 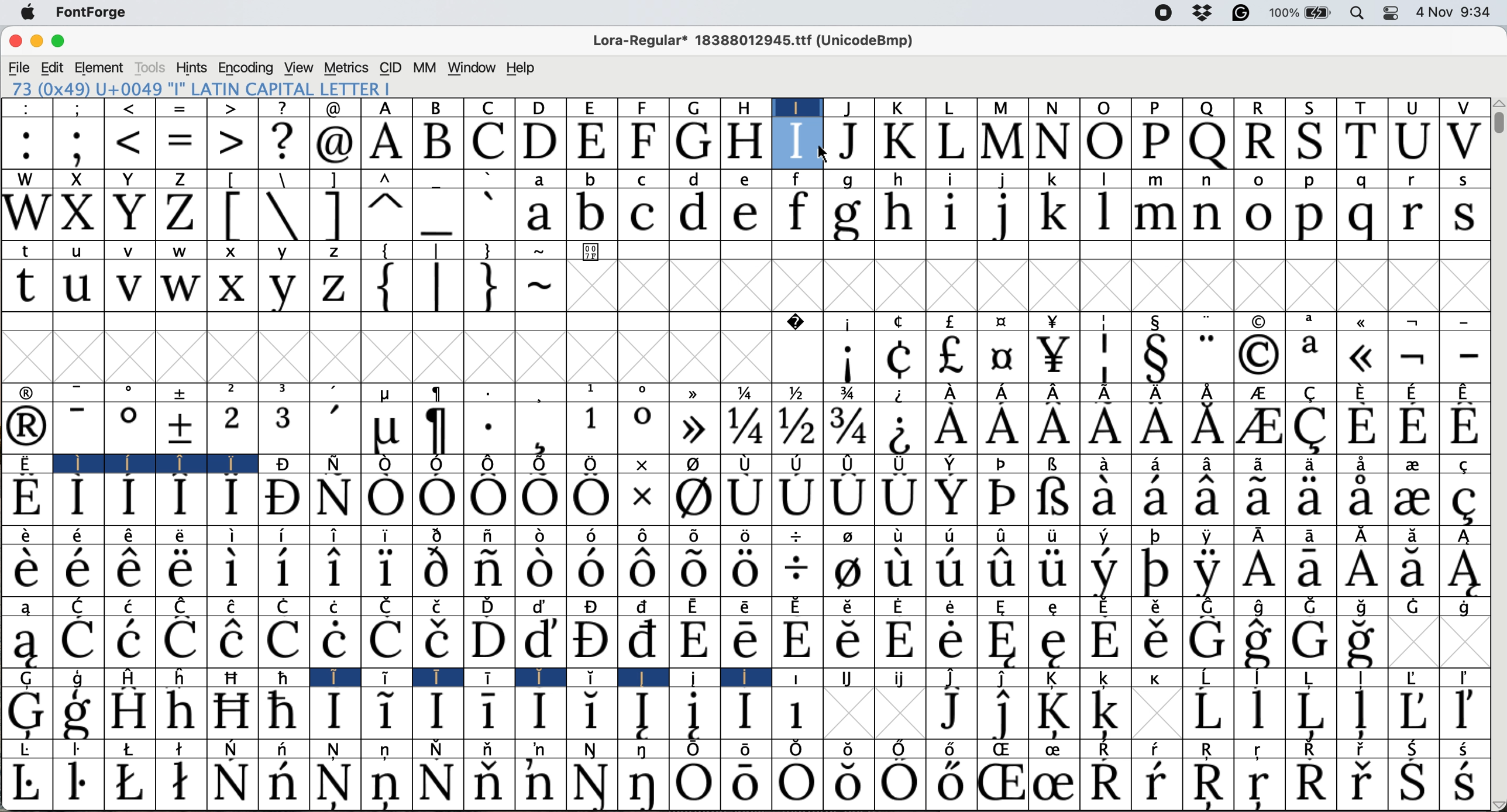 What do you see at coordinates (1357, 217) in the screenshot?
I see `q` at bounding box center [1357, 217].